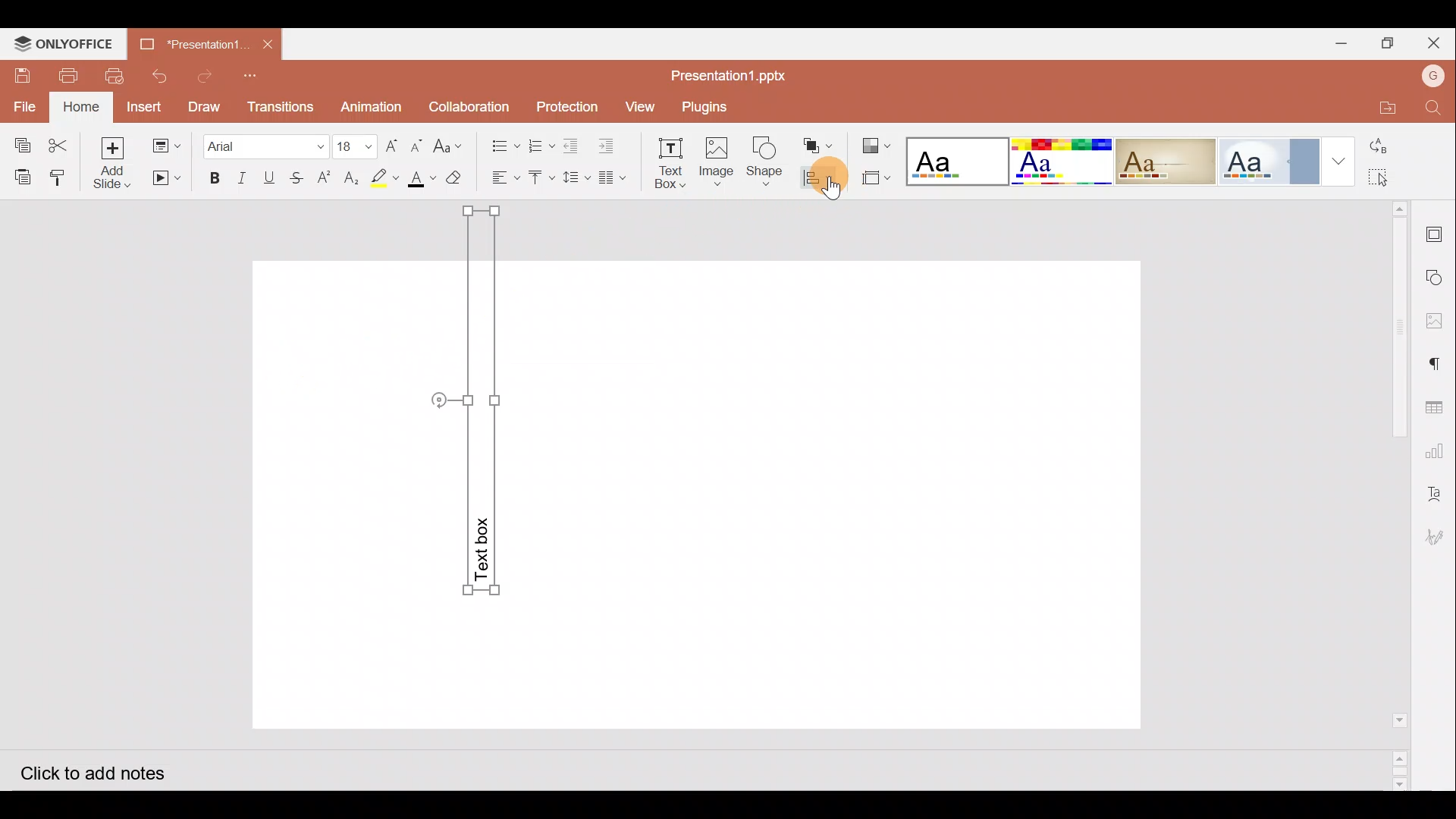  Describe the element at coordinates (419, 179) in the screenshot. I see `Font color` at that location.